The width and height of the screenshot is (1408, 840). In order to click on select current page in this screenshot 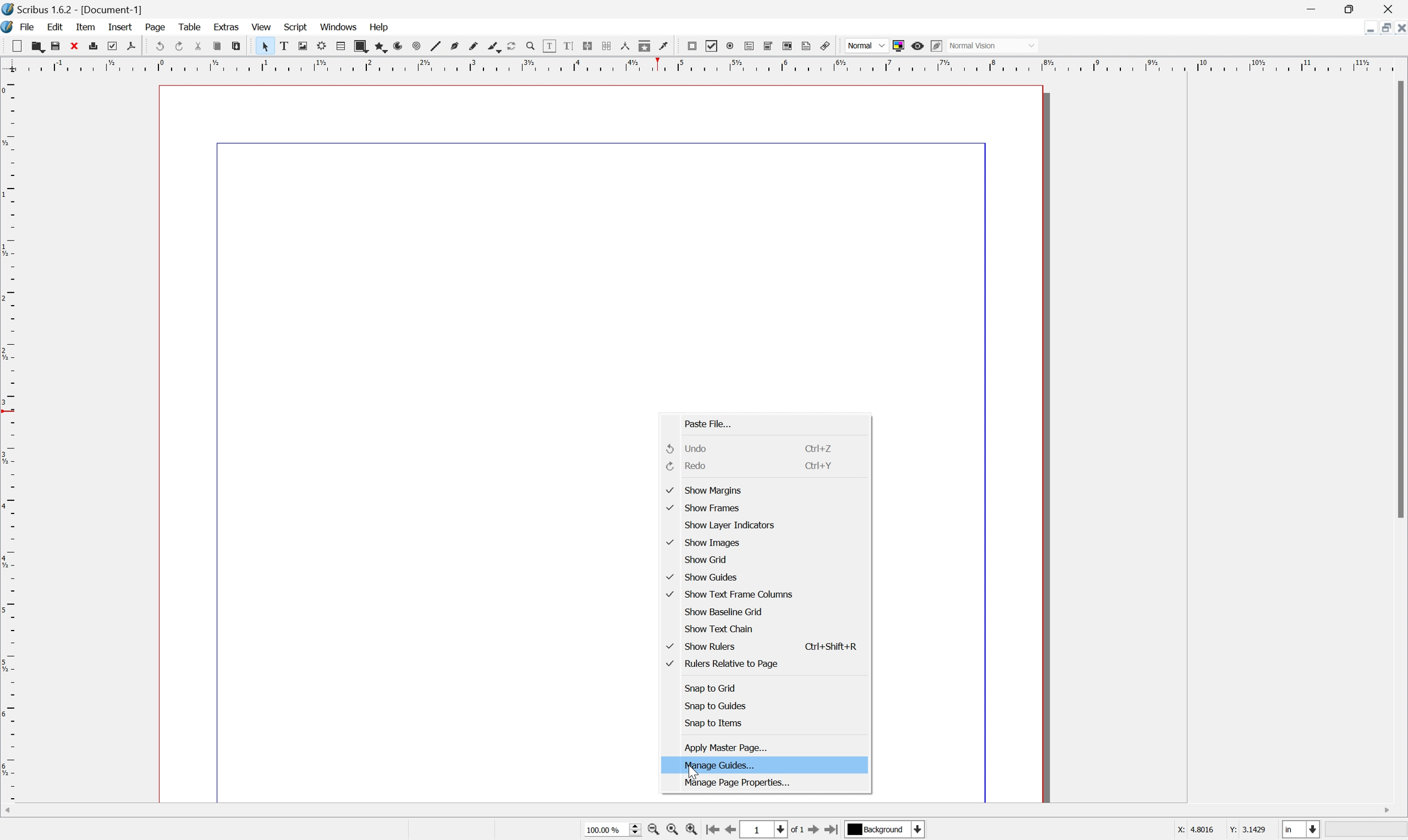, I will do `click(771, 830)`.